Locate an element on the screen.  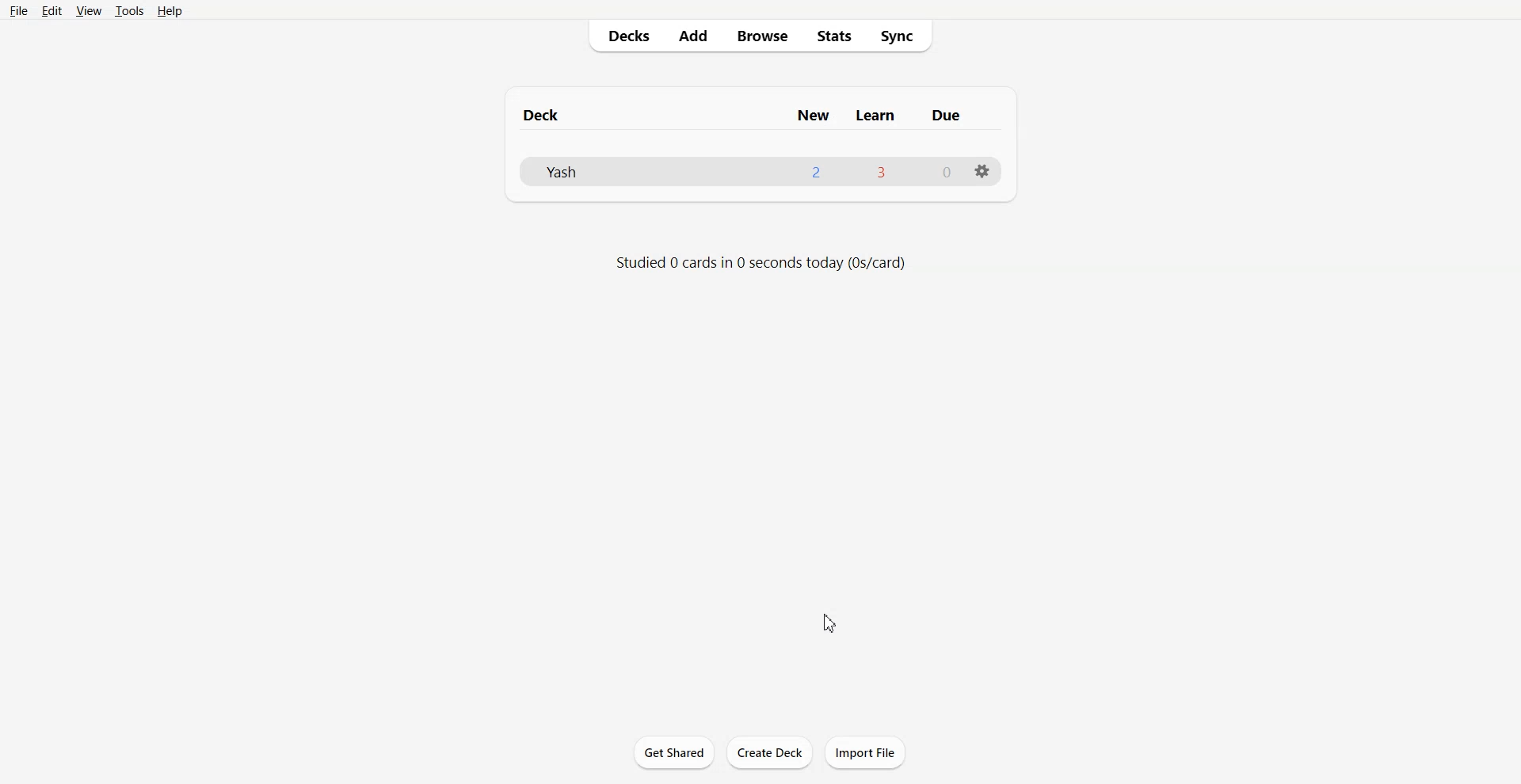
Settings is located at coordinates (982, 170).